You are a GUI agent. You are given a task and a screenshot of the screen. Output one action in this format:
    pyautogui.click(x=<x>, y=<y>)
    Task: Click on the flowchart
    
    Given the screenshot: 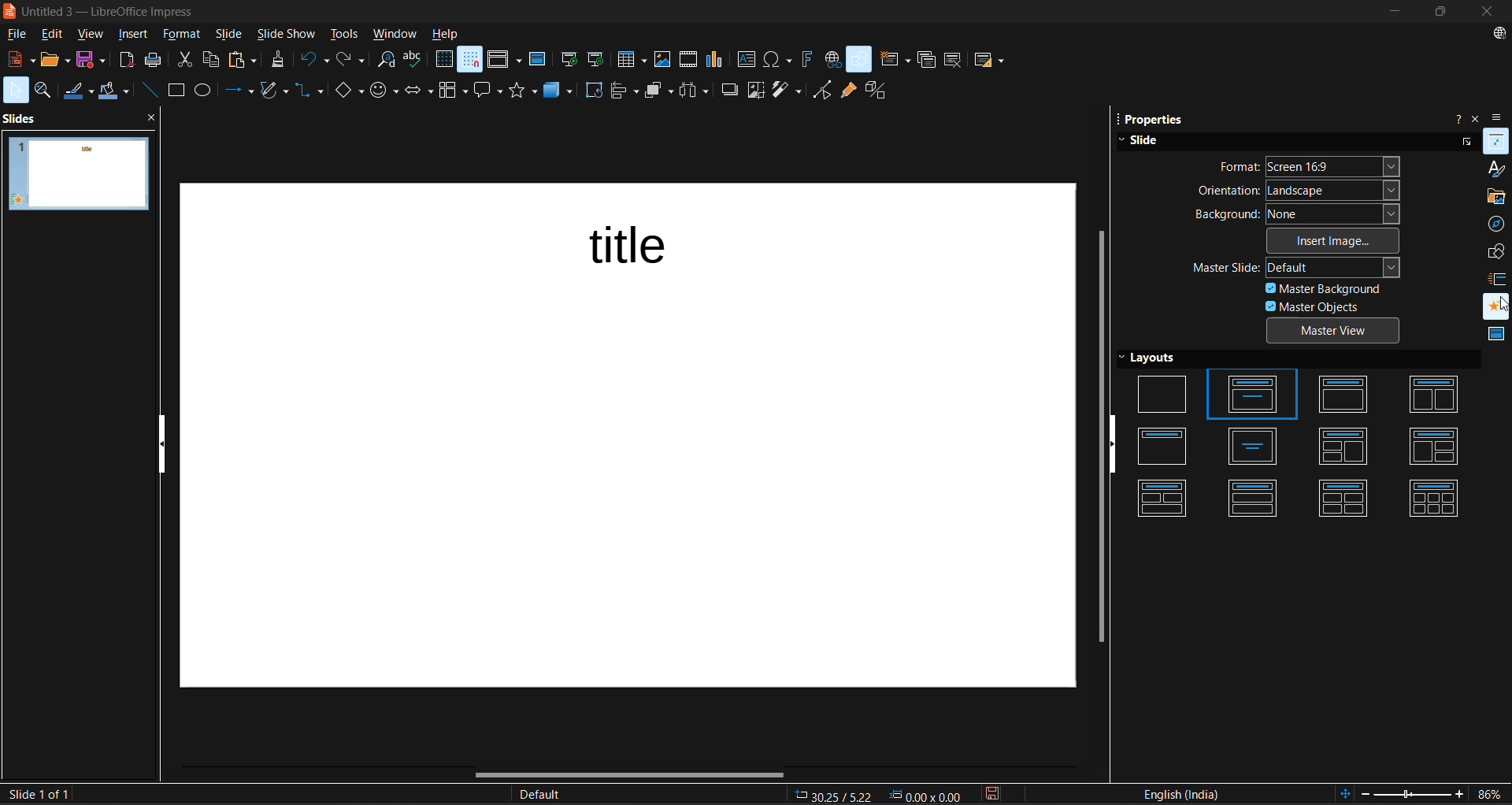 What is the action you would take?
    pyautogui.click(x=454, y=93)
    